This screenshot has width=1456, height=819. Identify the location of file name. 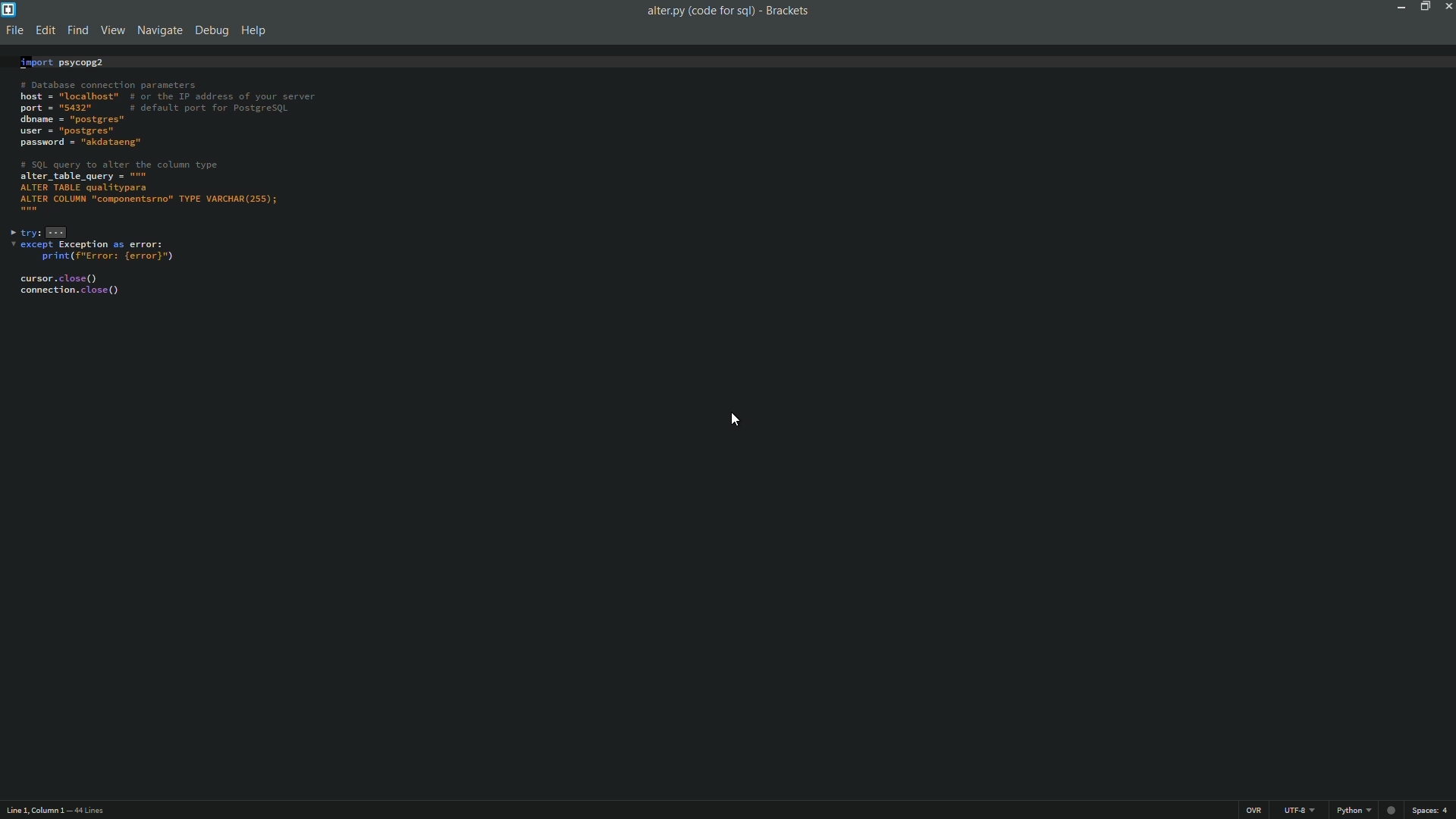
(697, 11).